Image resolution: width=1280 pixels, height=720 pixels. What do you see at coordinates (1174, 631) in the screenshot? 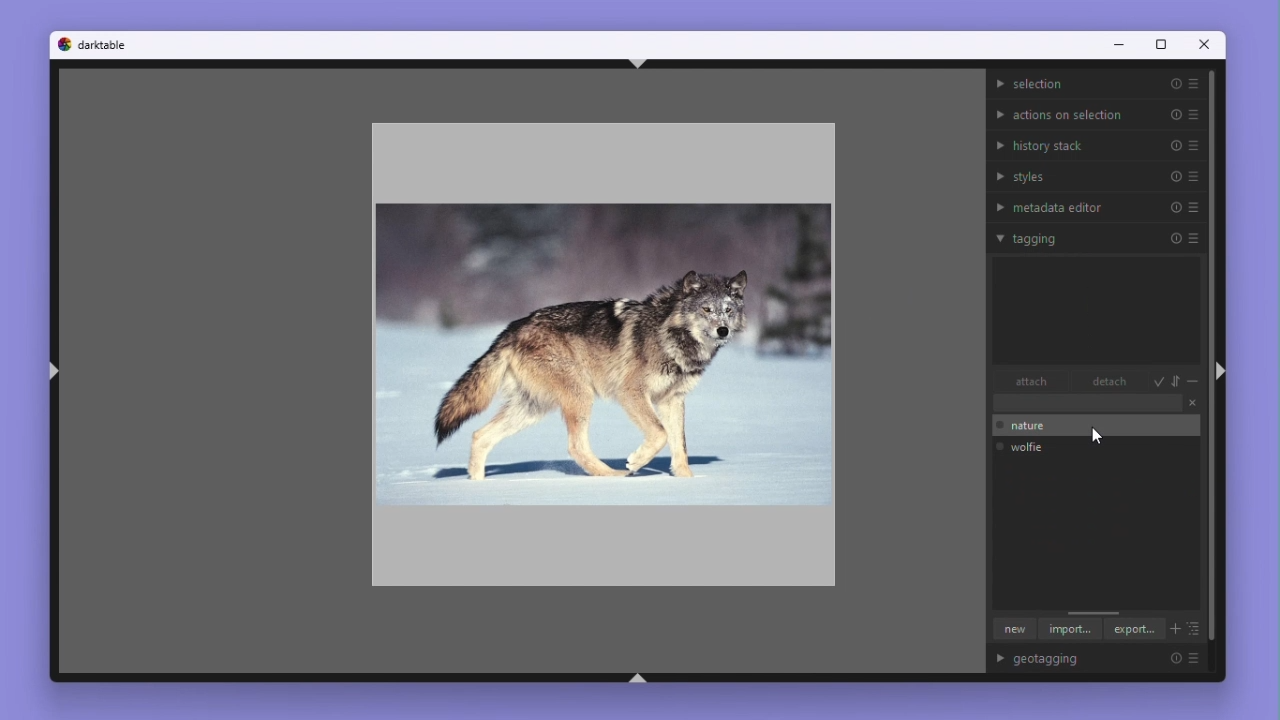
I see `add` at bounding box center [1174, 631].